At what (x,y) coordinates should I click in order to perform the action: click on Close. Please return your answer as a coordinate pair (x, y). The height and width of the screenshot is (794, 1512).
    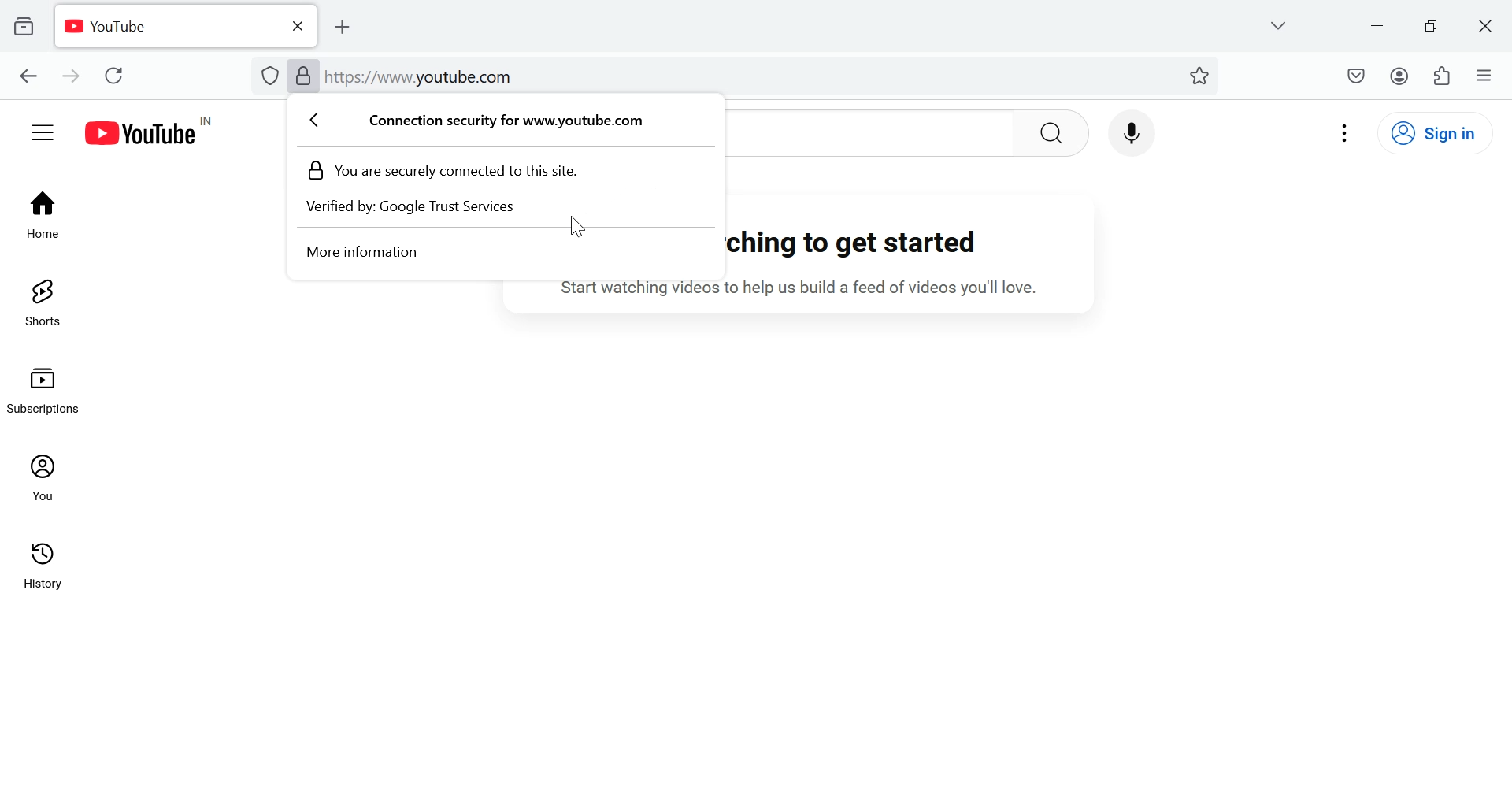
    Looking at the image, I should click on (1488, 26).